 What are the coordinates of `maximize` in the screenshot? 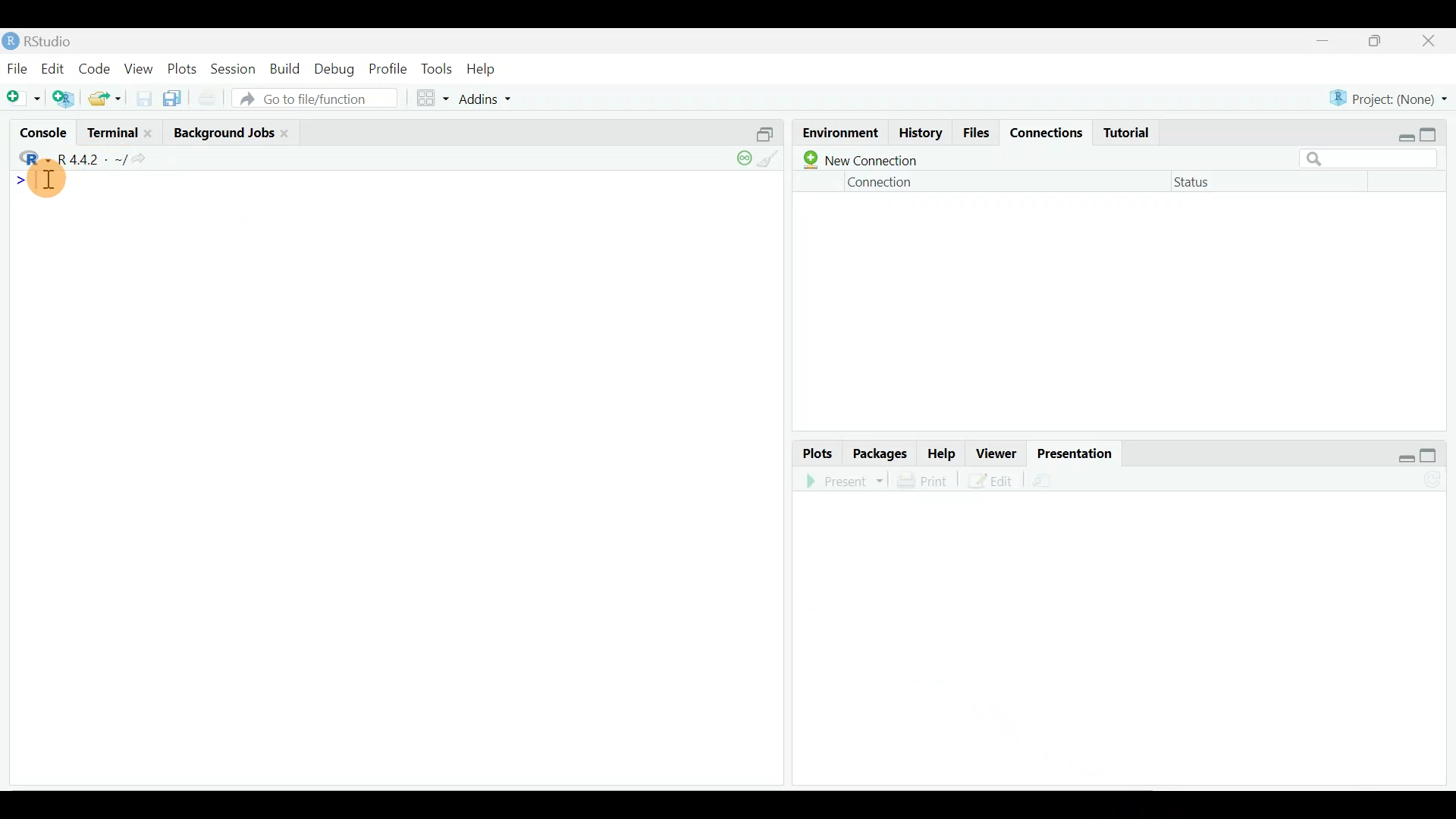 It's located at (1382, 42).